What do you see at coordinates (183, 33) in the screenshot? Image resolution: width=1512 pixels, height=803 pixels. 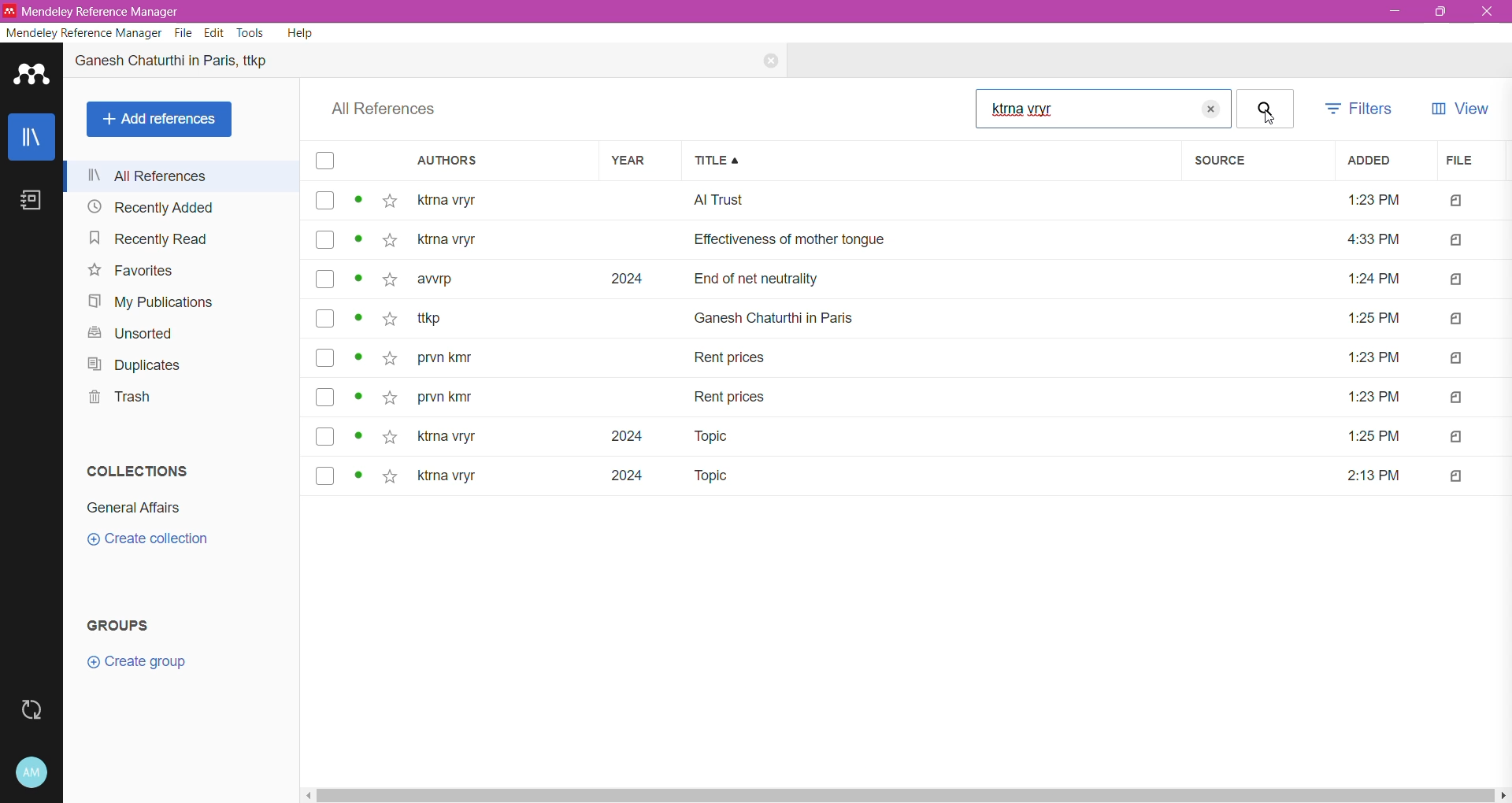 I see `File` at bounding box center [183, 33].